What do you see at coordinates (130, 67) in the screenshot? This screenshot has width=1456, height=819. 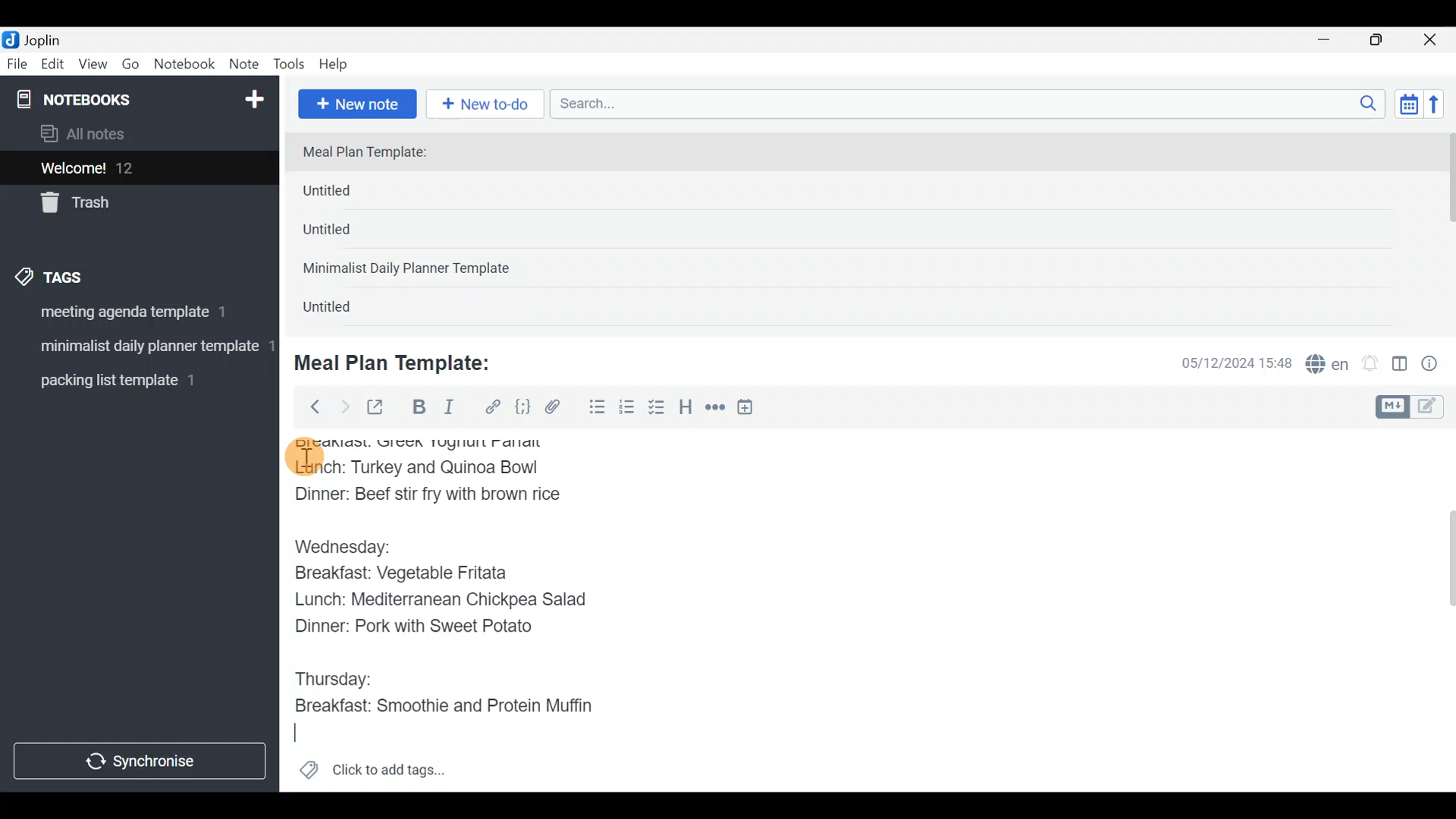 I see `Go` at bounding box center [130, 67].